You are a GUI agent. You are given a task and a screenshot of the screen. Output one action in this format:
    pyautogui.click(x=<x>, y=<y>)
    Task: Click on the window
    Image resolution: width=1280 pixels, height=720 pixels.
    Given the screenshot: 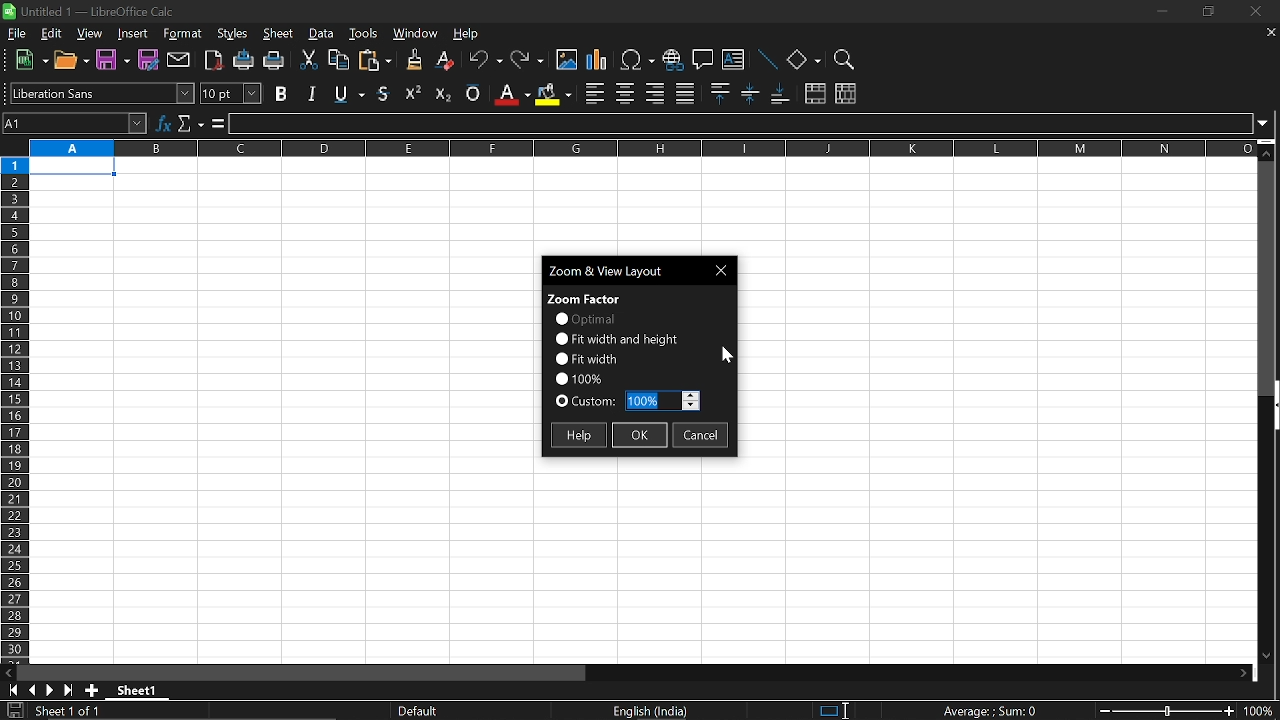 What is the action you would take?
    pyautogui.click(x=416, y=35)
    